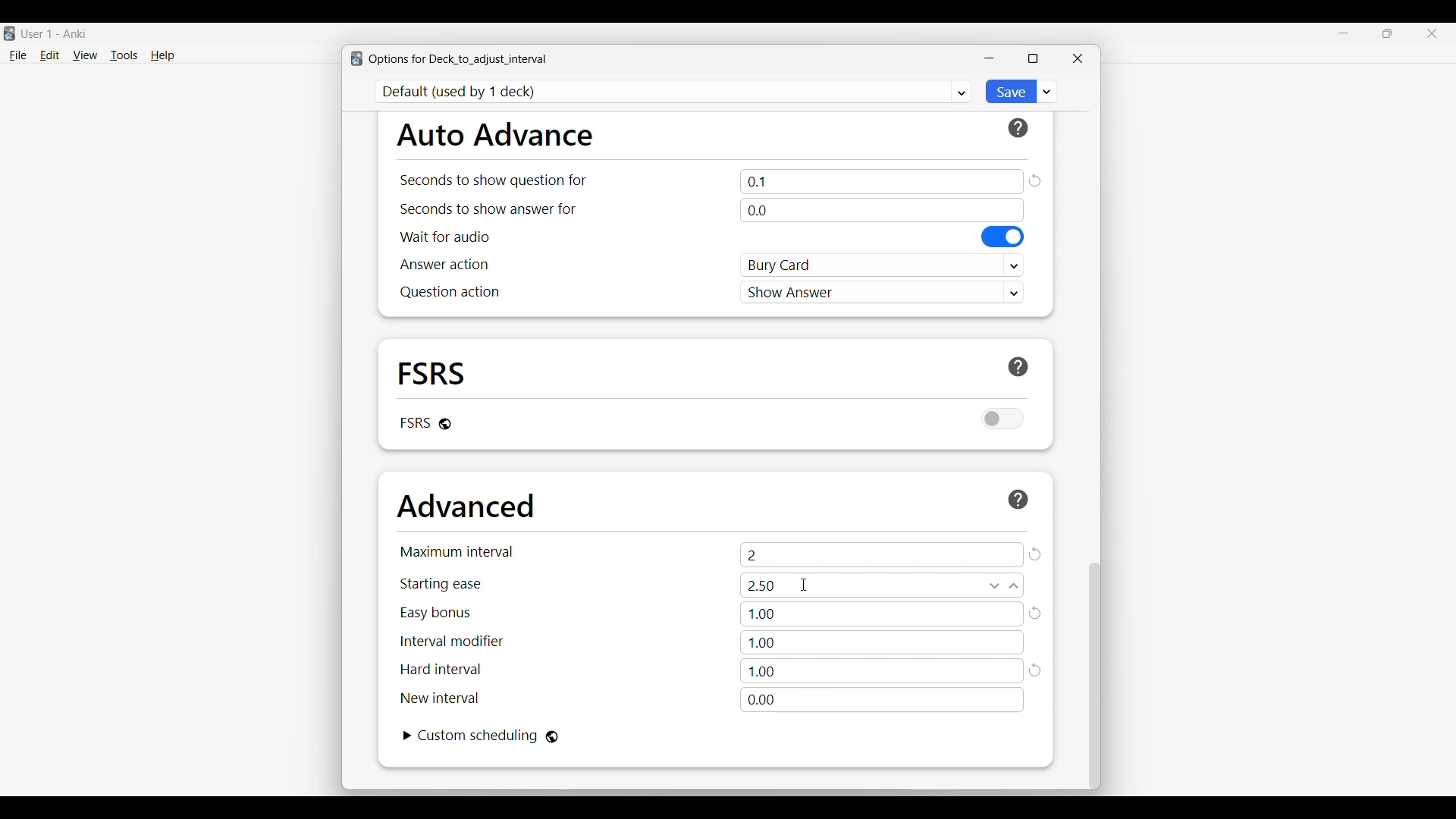  Describe the element at coordinates (466, 506) in the screenshot. I see `Advanced` at that location.